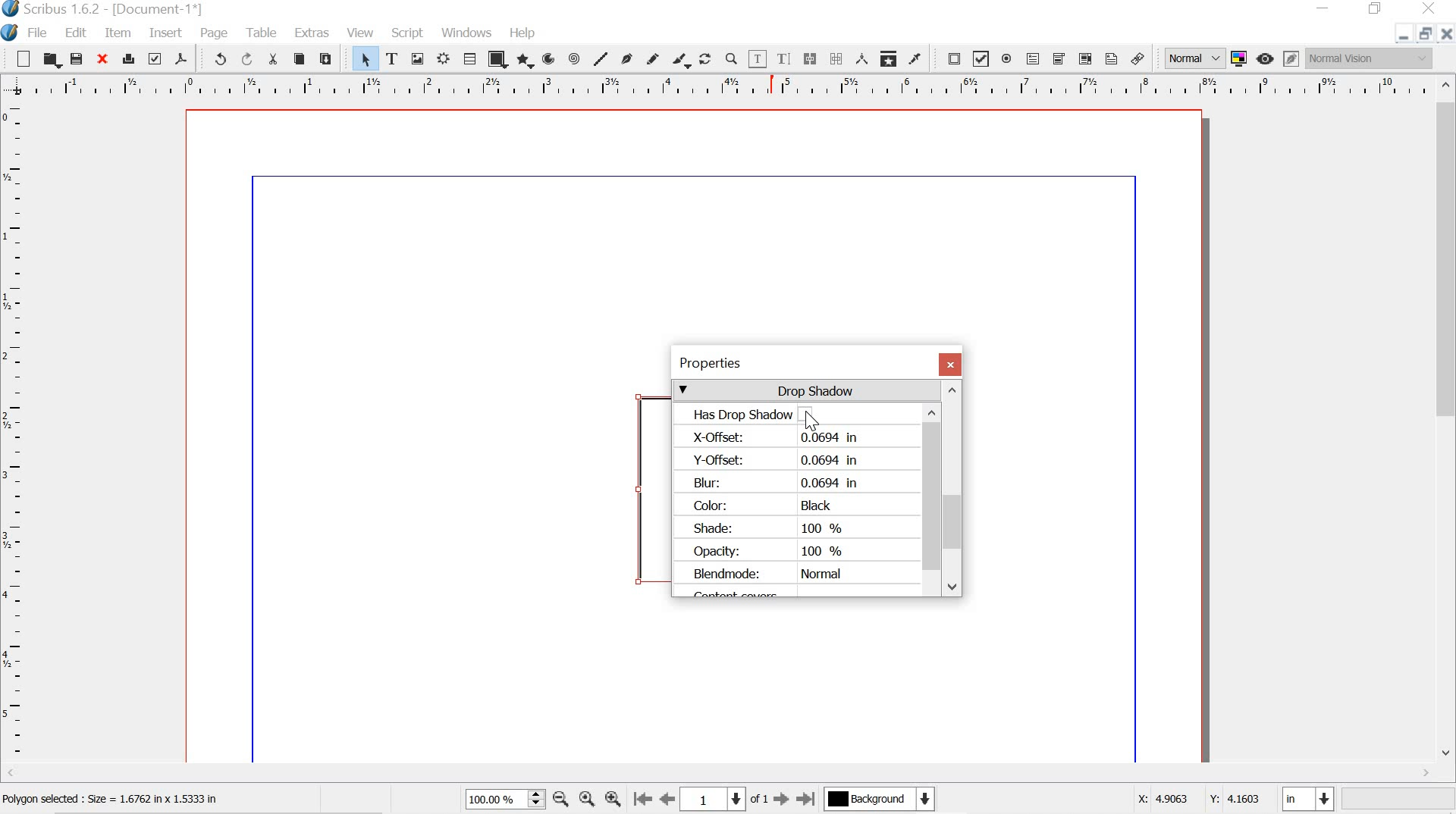 This screenshot has width=1456, height=814. What do you see at coordinates (155, 58) in the screenshot?
I see `preflight verifier` at bounding box center [155, 58].